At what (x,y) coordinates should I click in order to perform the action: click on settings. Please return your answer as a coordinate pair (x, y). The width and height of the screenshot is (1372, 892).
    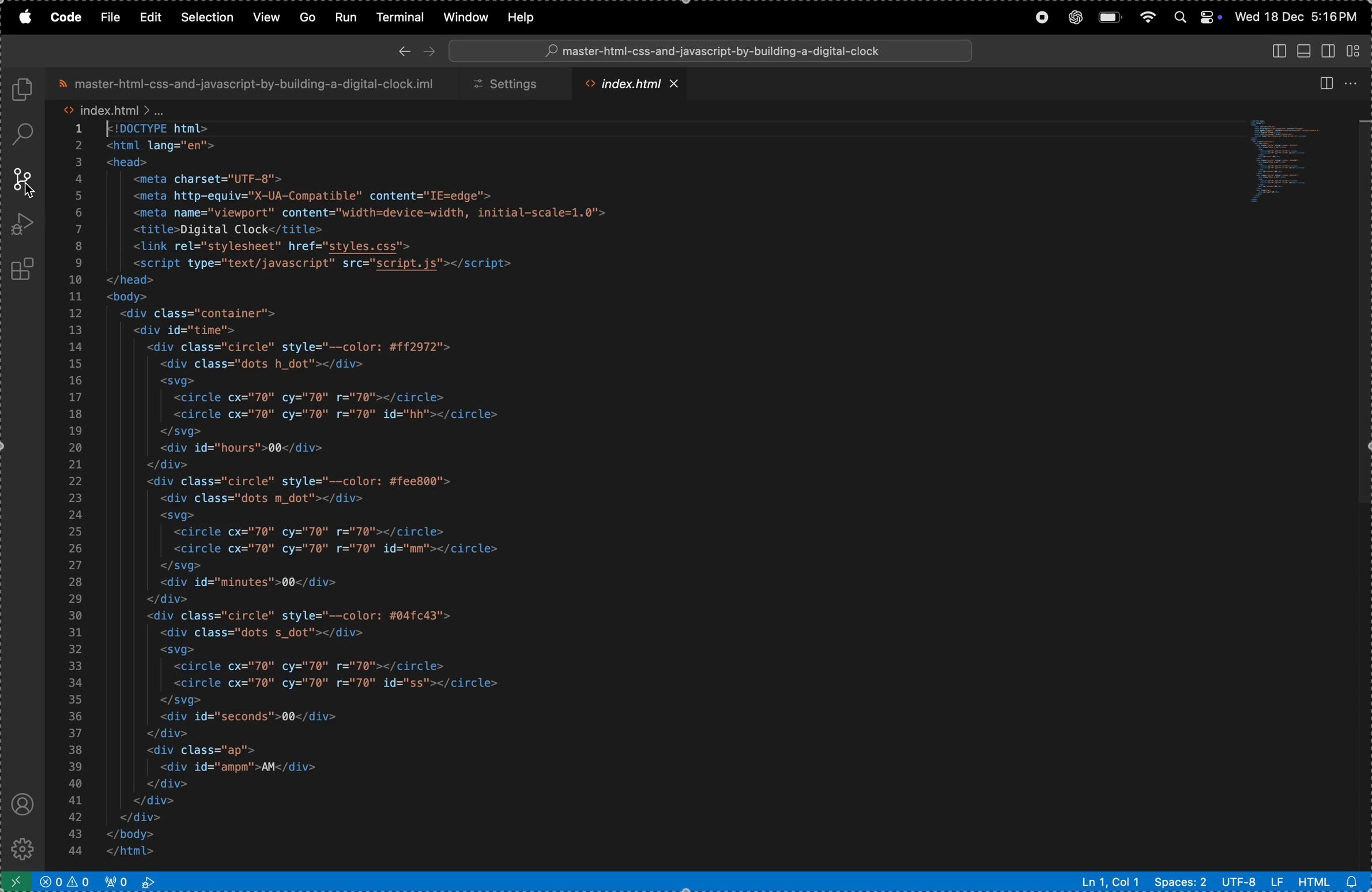
    Looking at the image, I should click on (26, 846).